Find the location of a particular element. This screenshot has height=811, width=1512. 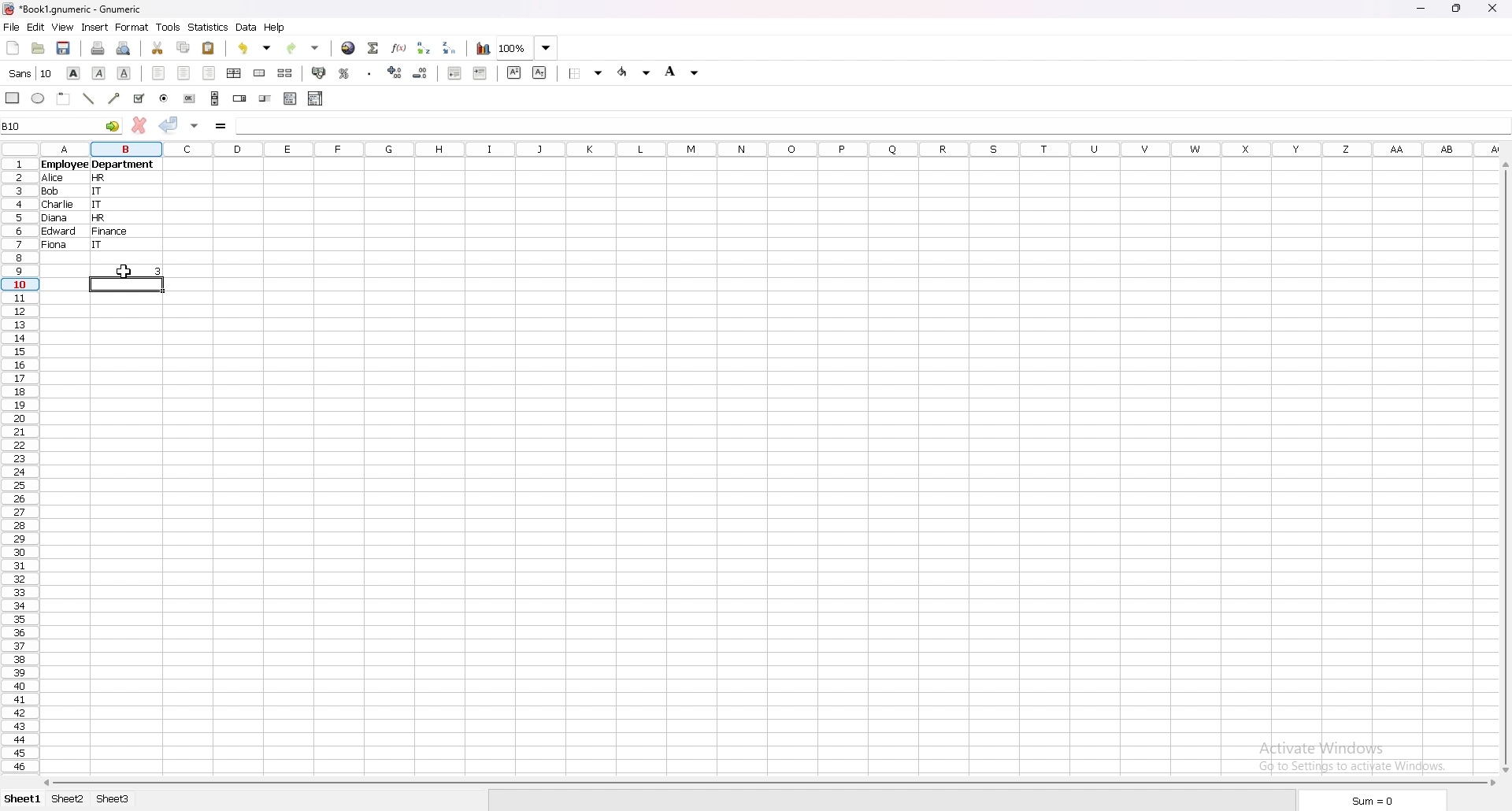

button is located at coordinates (189, 98).